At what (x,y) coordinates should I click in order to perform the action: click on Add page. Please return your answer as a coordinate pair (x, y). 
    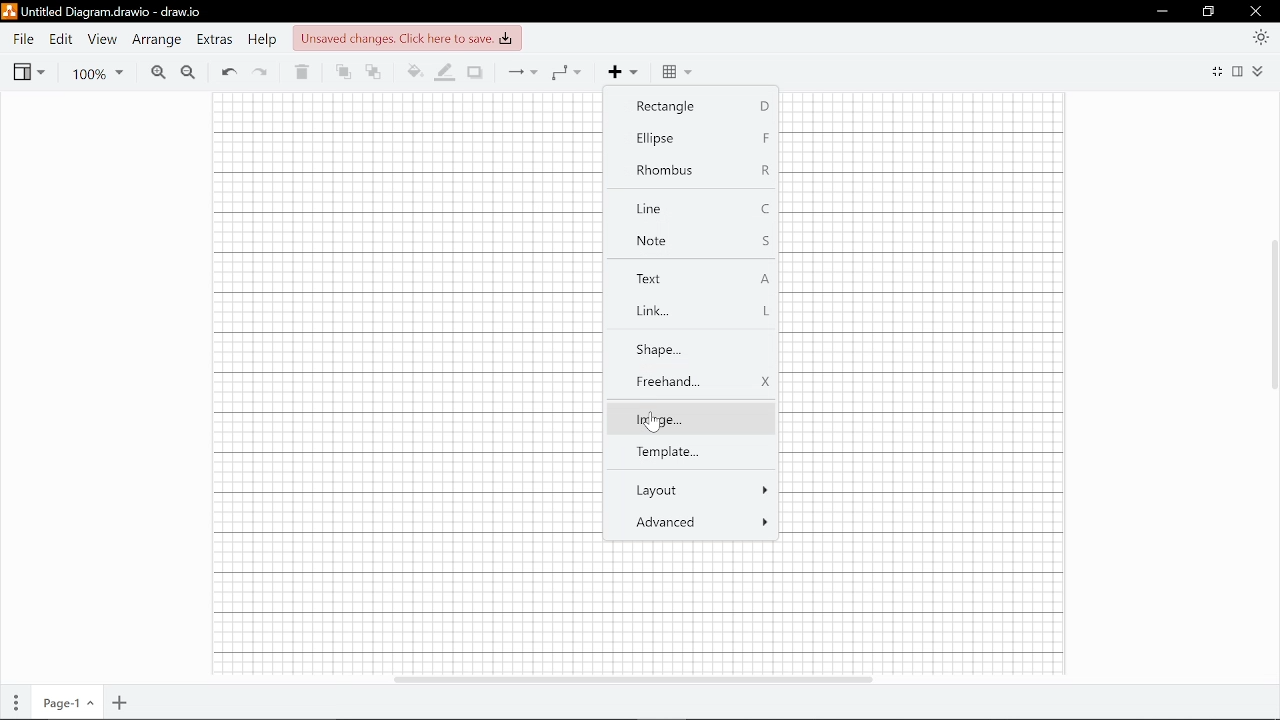
    Looking at the image, I should click on (120, 705).